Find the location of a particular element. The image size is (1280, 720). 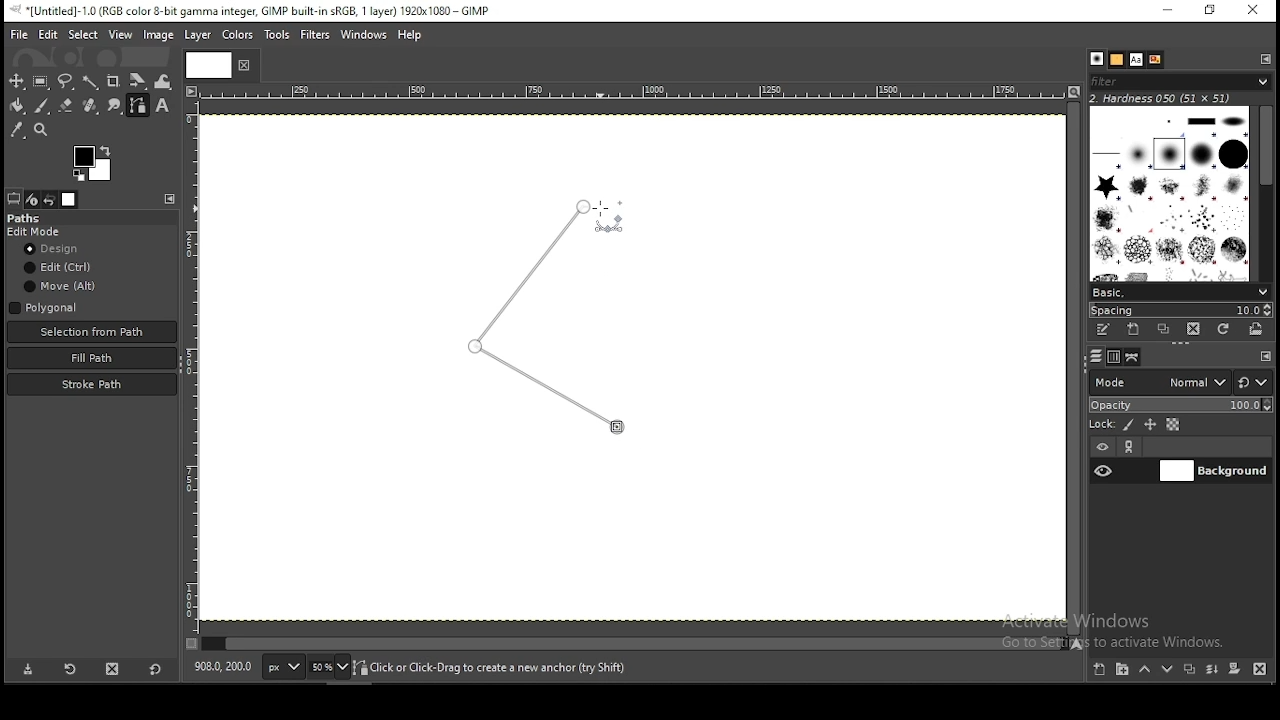

warp transform is located at coordinates (164, 81).